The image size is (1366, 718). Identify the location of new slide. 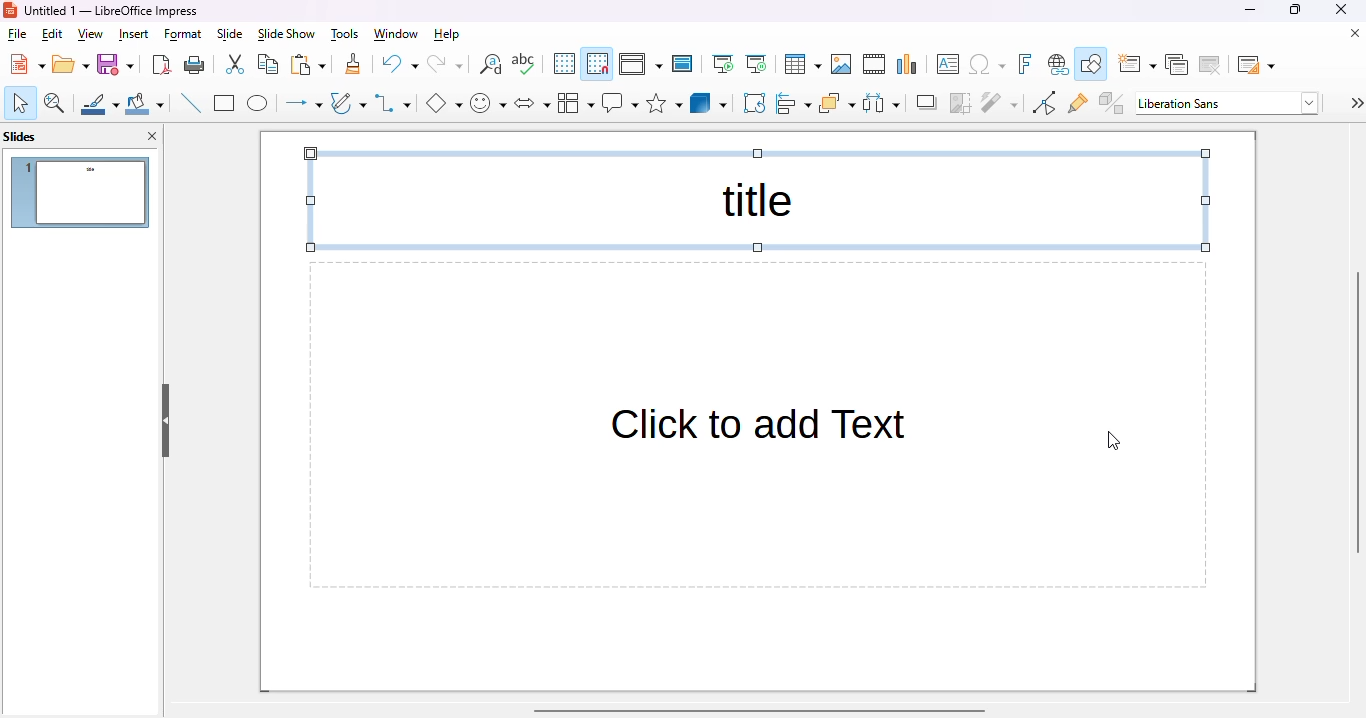
(1137, 64).